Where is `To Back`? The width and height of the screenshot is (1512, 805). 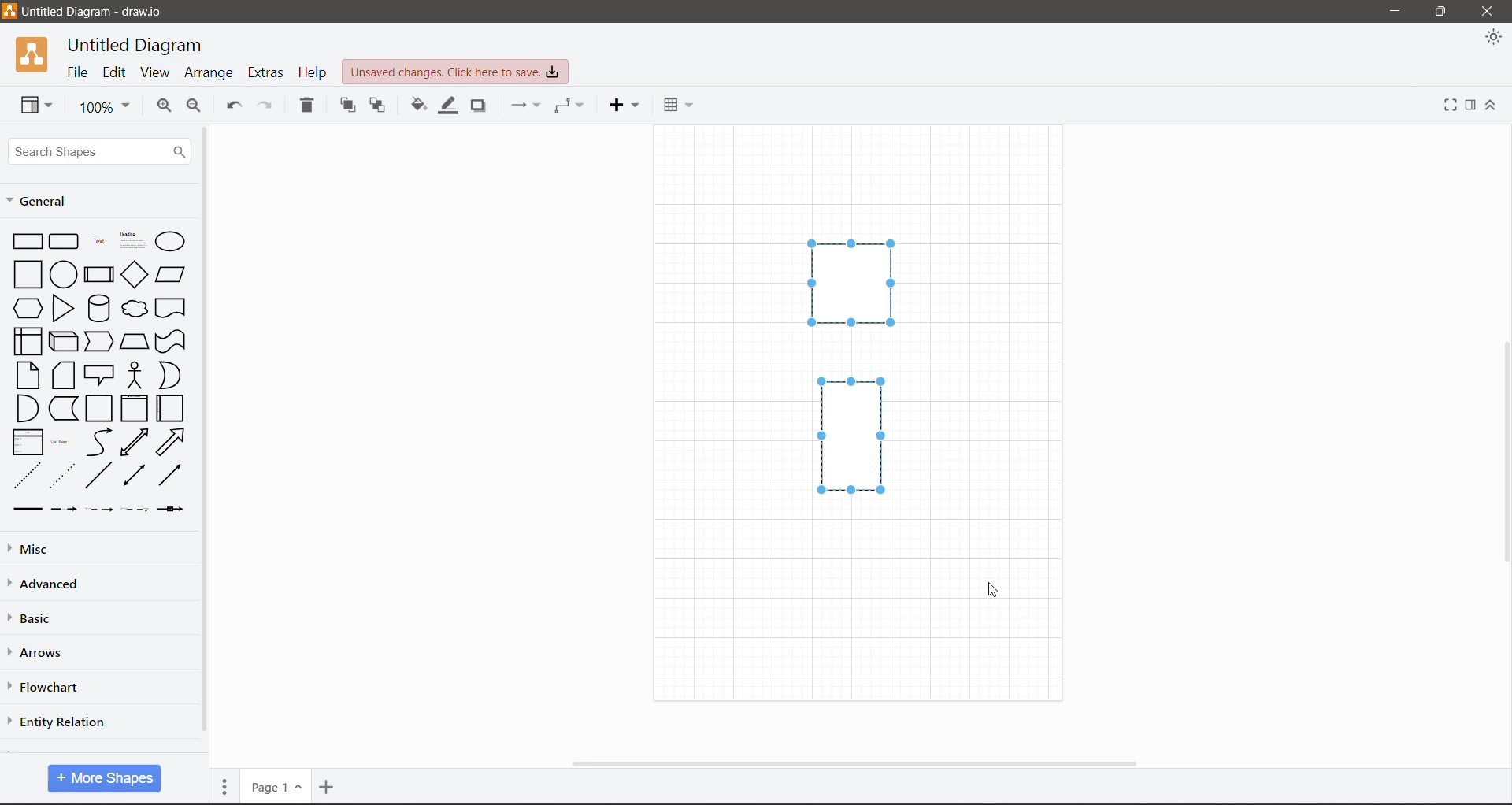
To Back is located at coordinates (376, 106).